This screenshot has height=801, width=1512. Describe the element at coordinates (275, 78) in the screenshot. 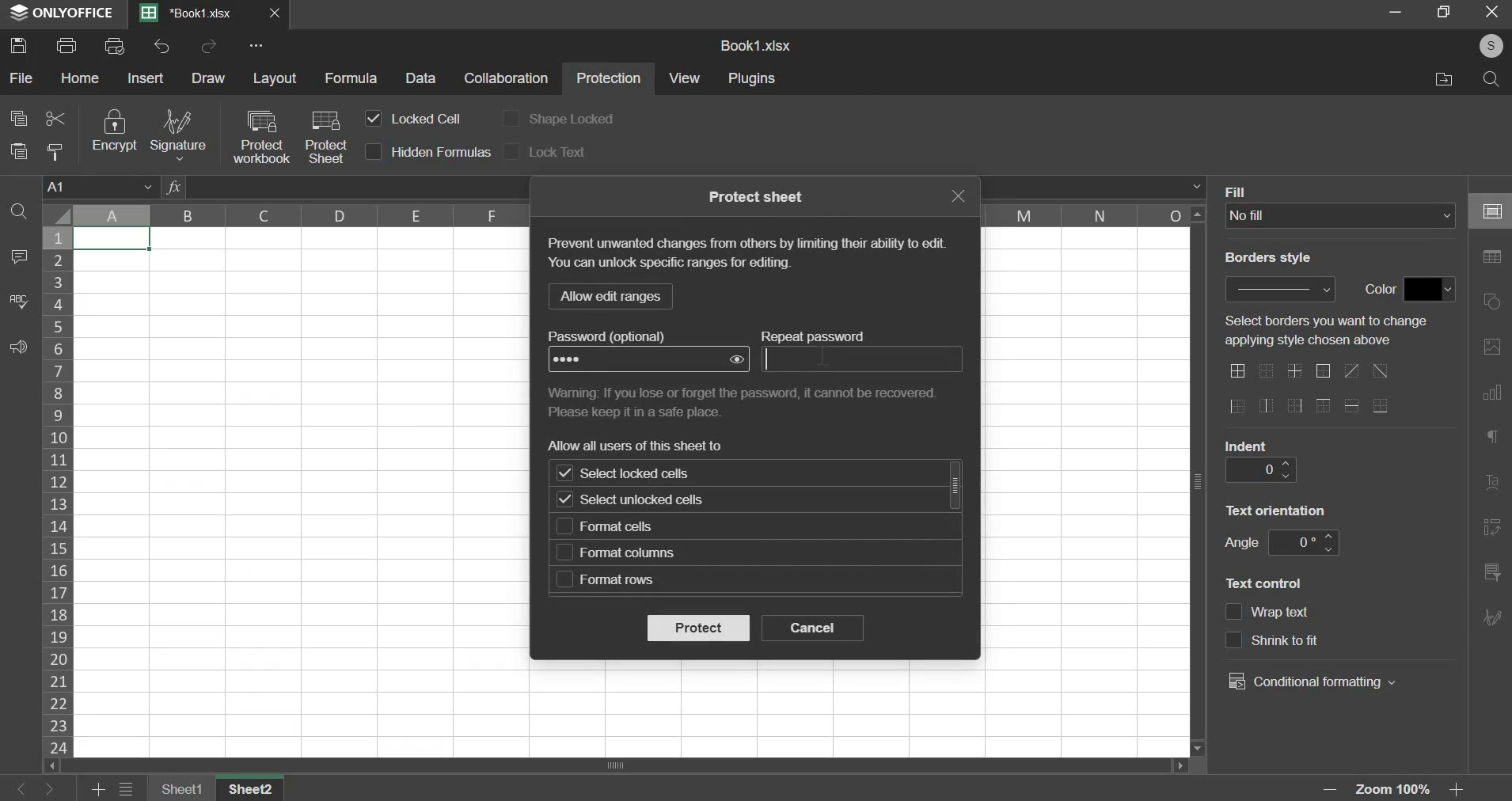

I see `layout` at that location.